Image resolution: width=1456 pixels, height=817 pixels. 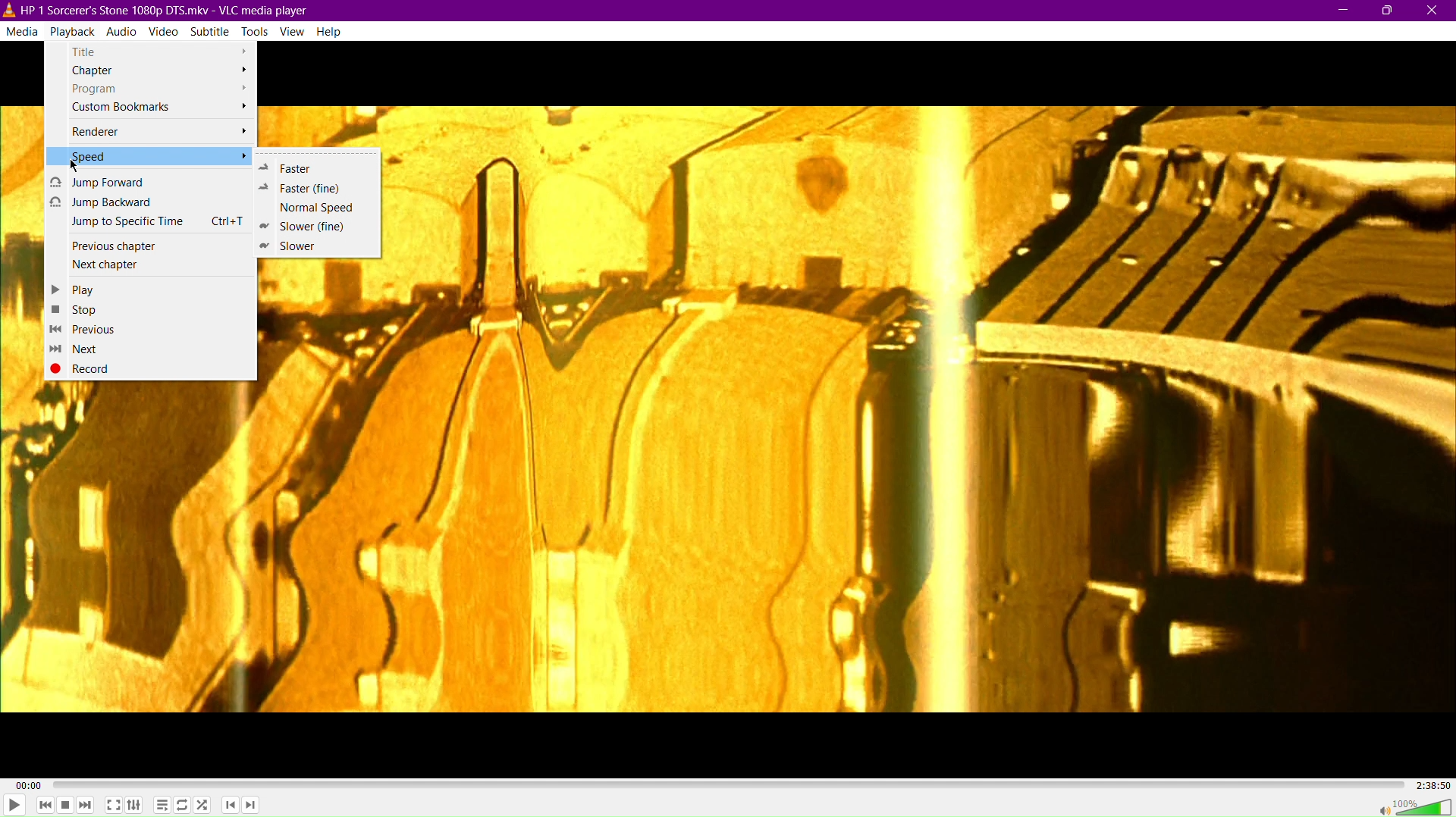 I want to click on Timeline, so click(x=725, y=783).